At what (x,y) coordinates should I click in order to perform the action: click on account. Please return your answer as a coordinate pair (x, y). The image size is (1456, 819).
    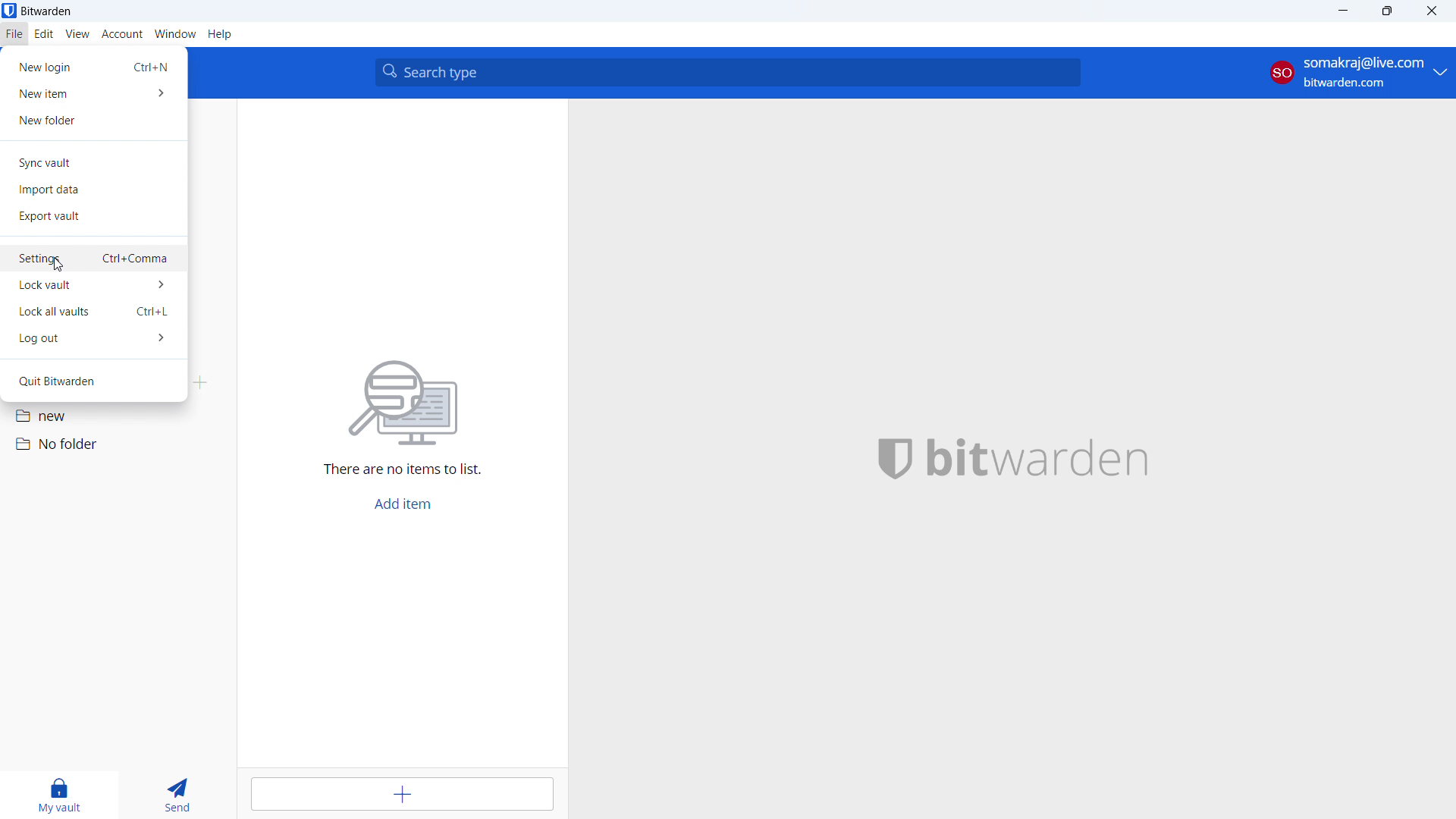
    Looking at the image, I should click on (122, 35).